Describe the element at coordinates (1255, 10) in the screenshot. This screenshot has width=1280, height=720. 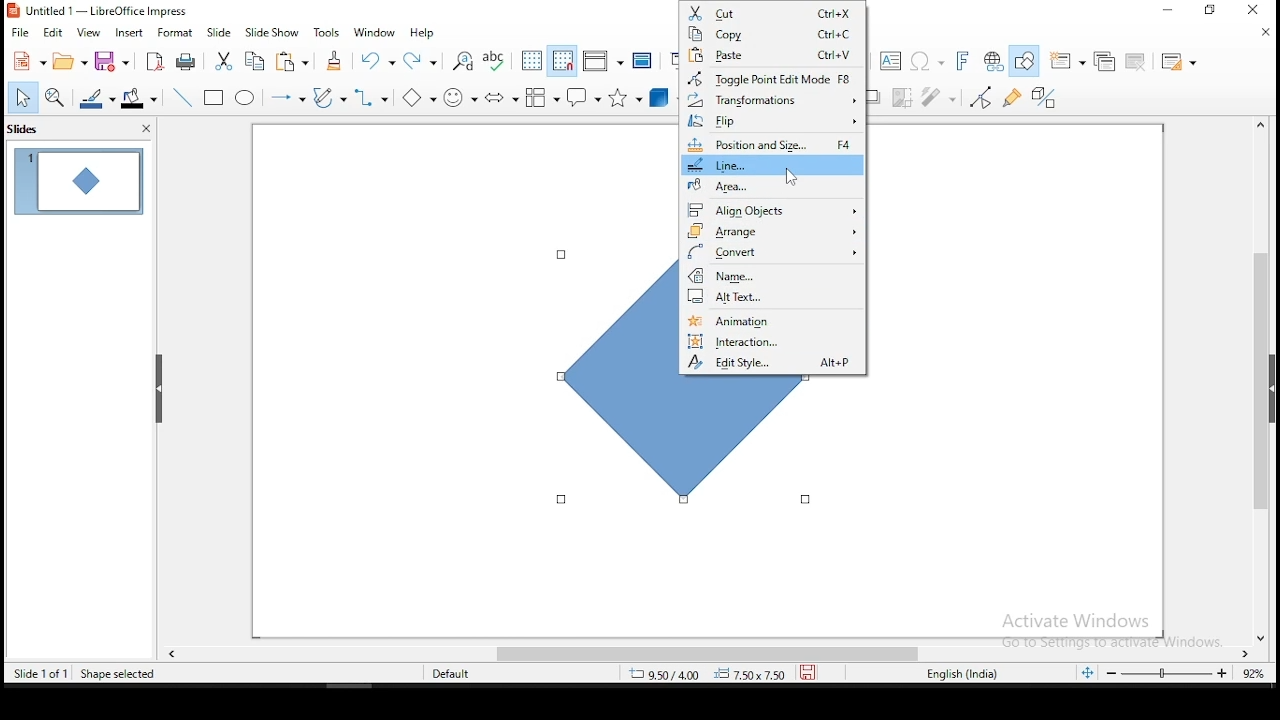
I see `close window` at that location.